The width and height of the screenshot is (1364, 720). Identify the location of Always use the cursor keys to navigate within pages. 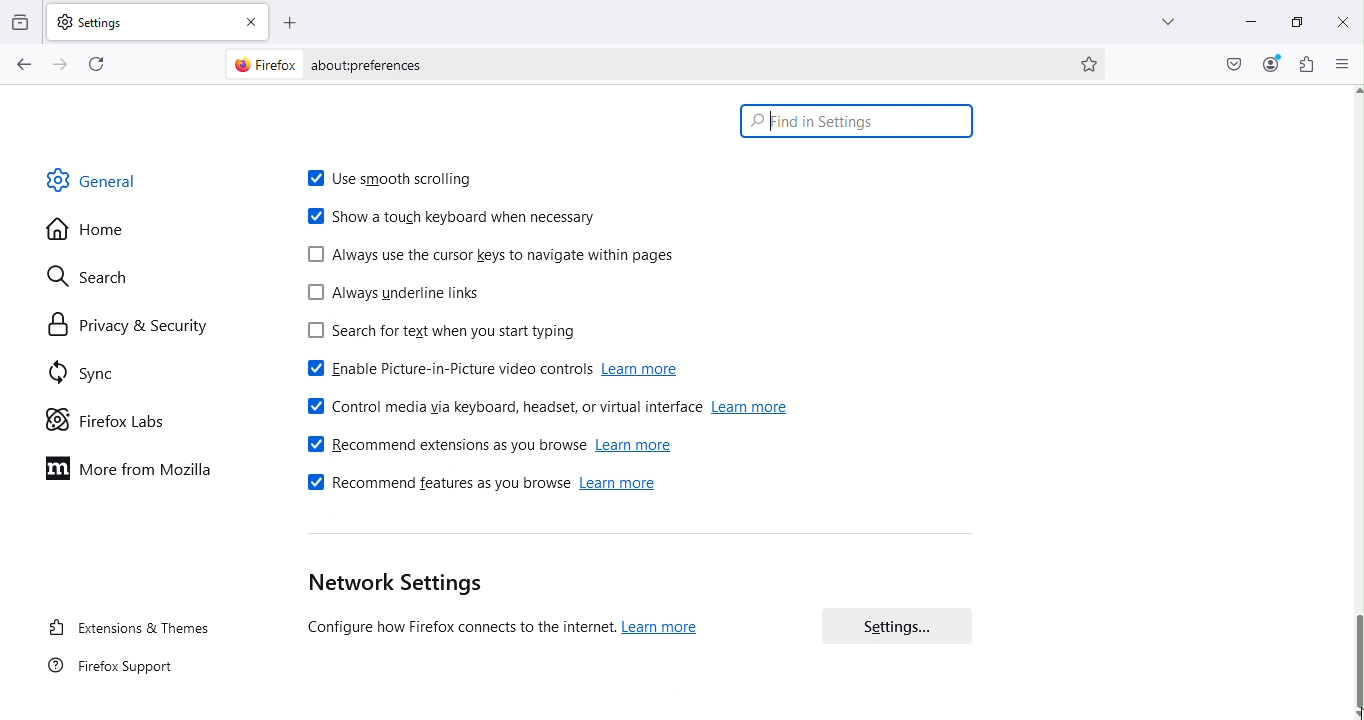
(491, 256).